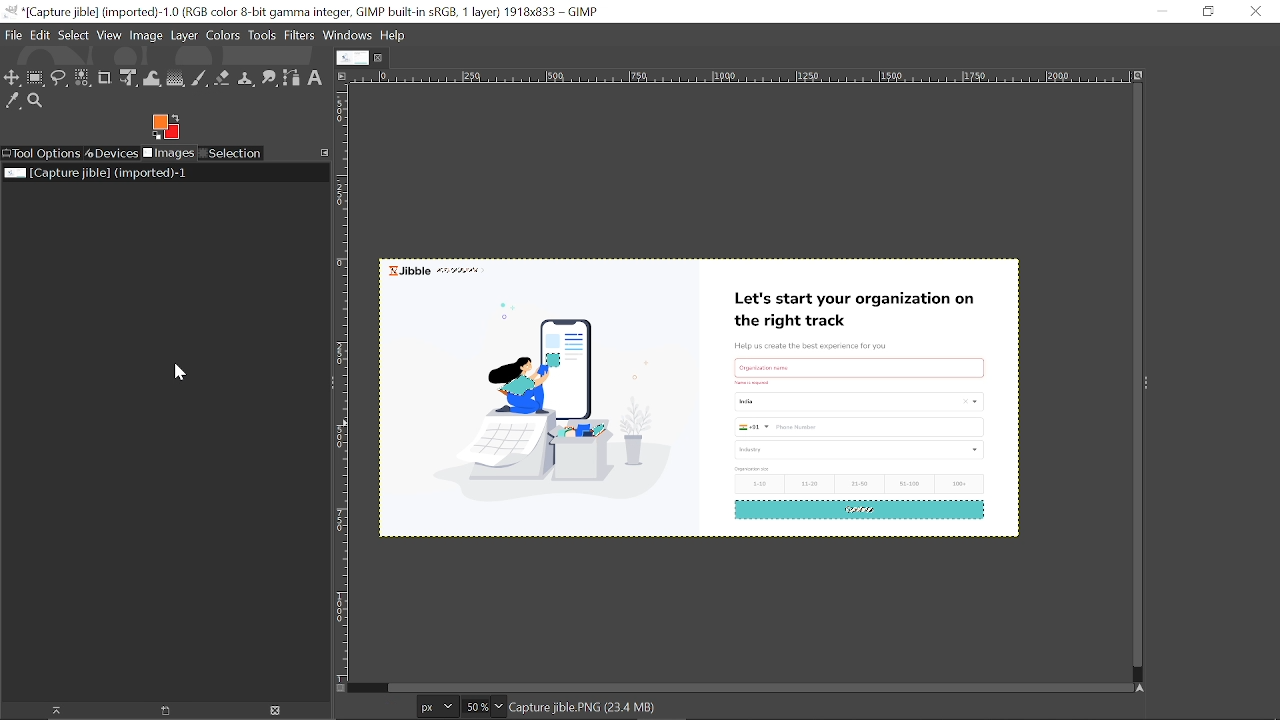  I want to click on Image, so click(147, 36).